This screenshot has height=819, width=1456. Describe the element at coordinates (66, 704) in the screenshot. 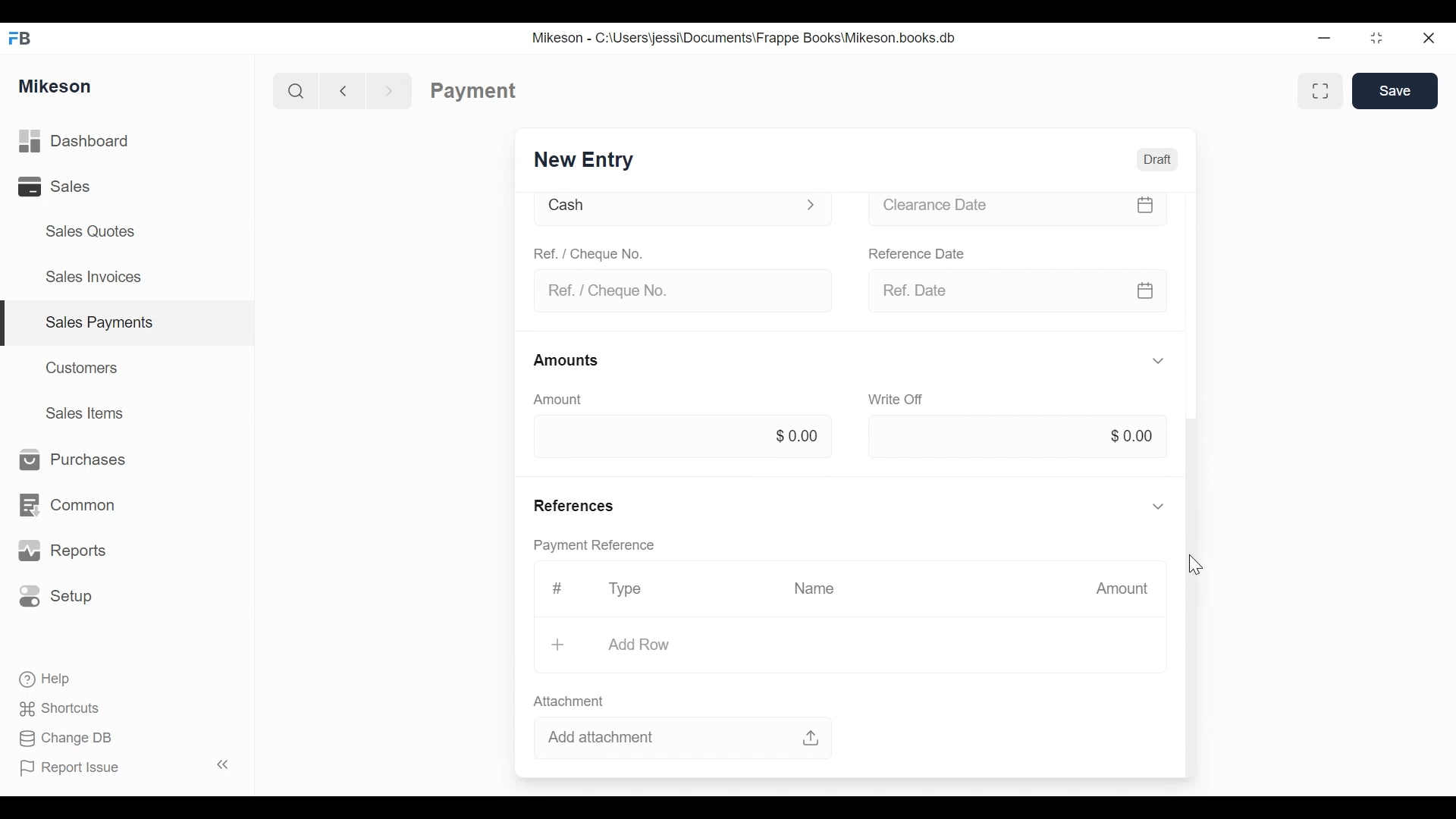

I see `Shortcuts` at that location.